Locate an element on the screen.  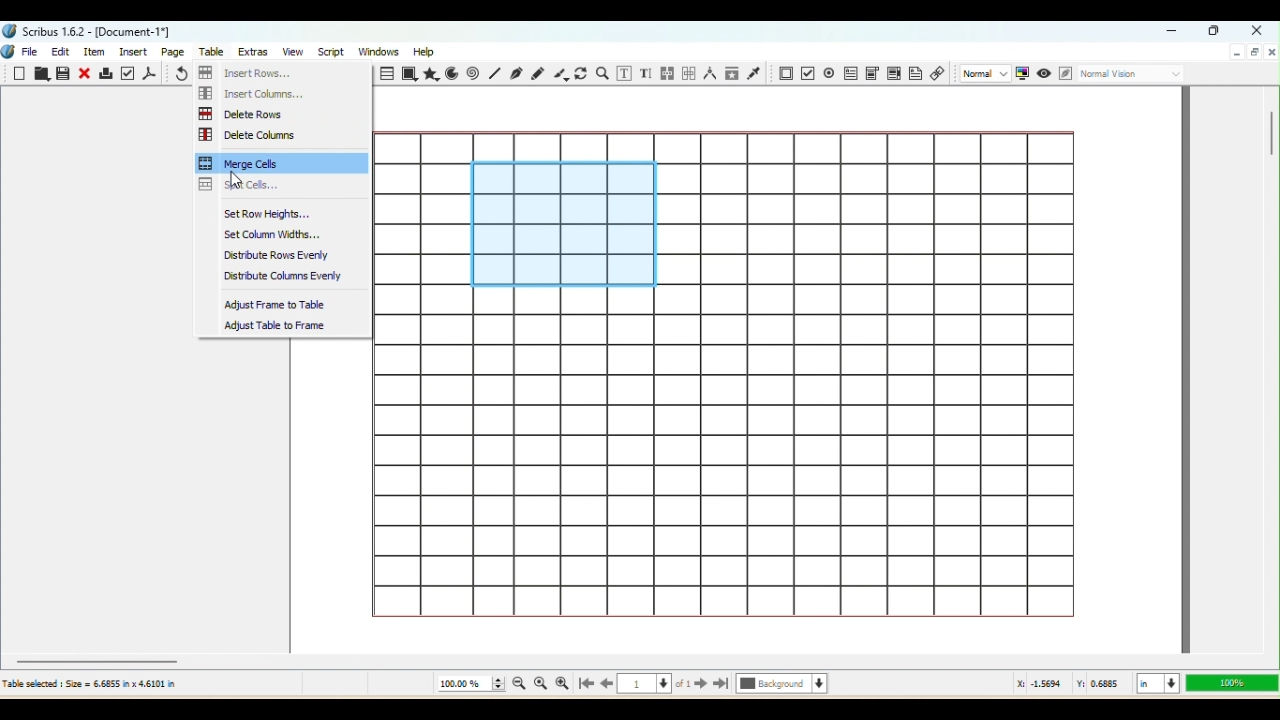
Edit text with story editor is located at coordinates (647, 73).